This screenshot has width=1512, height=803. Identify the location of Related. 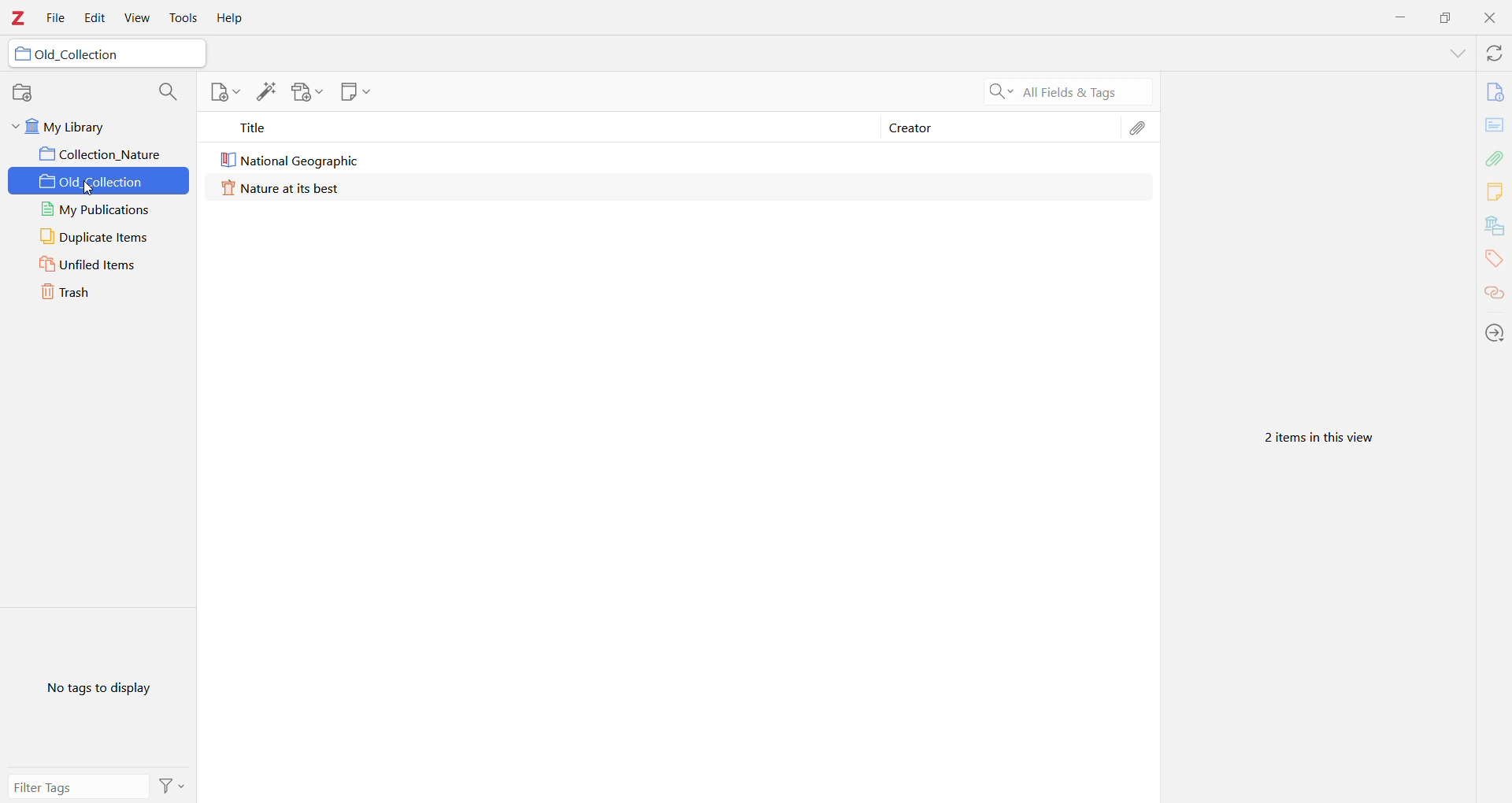
(1495, 294).